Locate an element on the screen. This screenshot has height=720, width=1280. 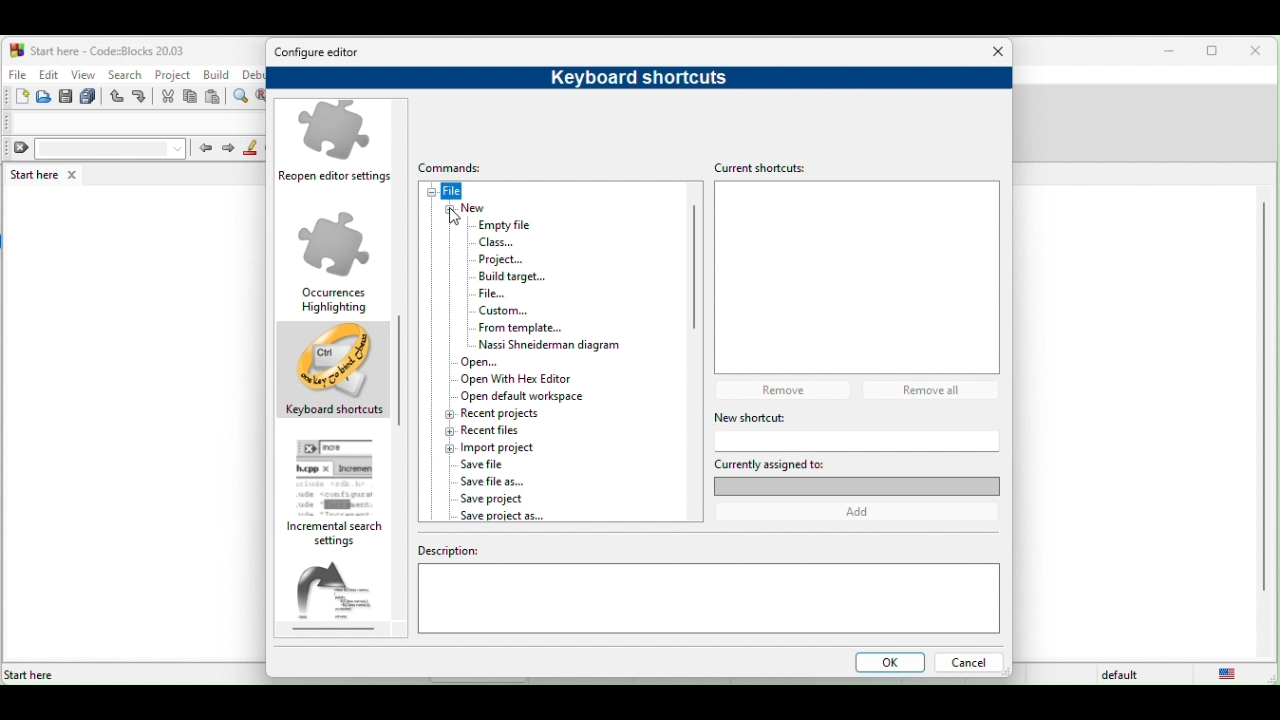
save is located at coordinates (66, 97).